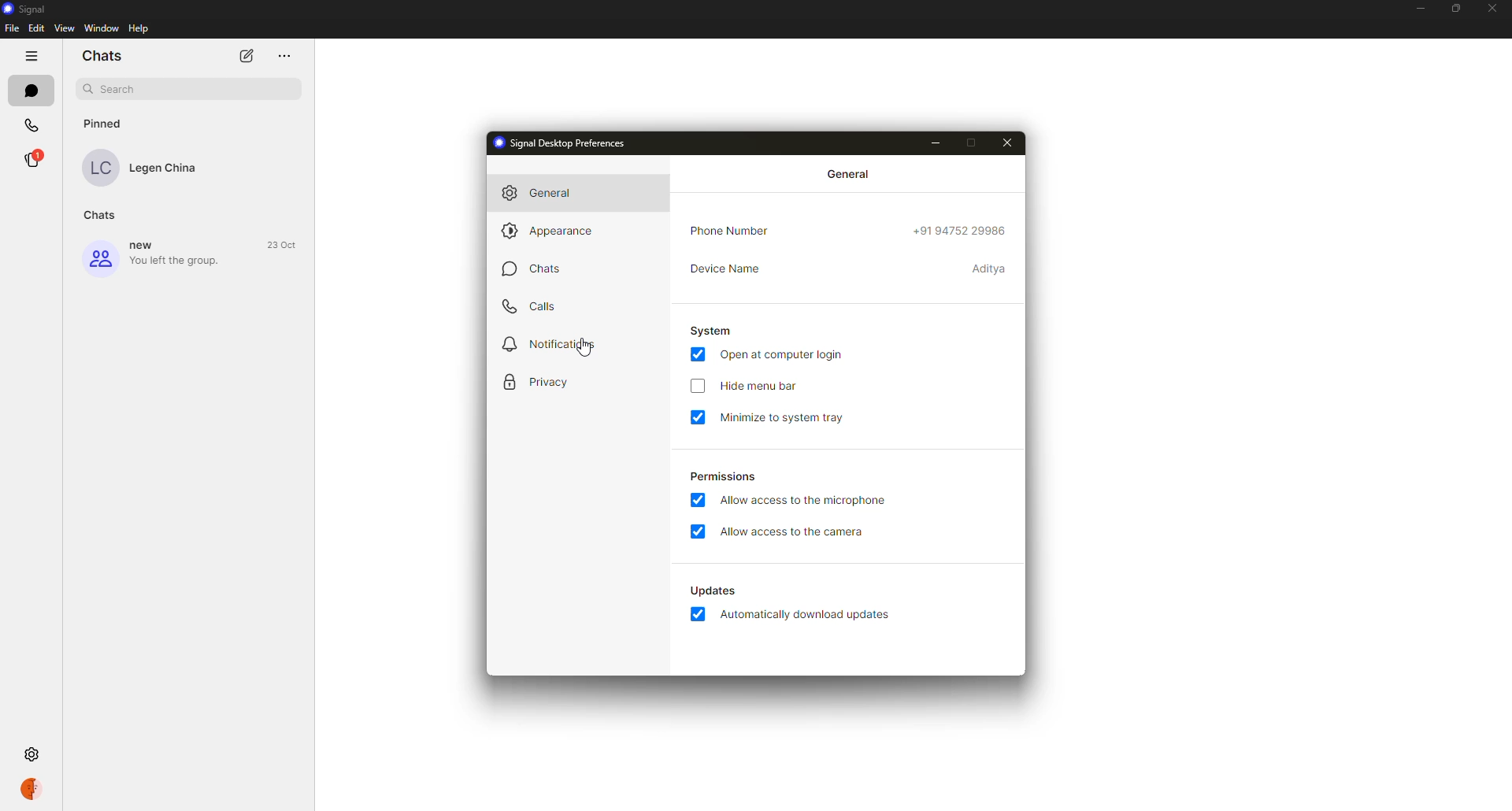 The width and height of the screenshot is (1512, 811). I want to click on menu, so click(284, 56).